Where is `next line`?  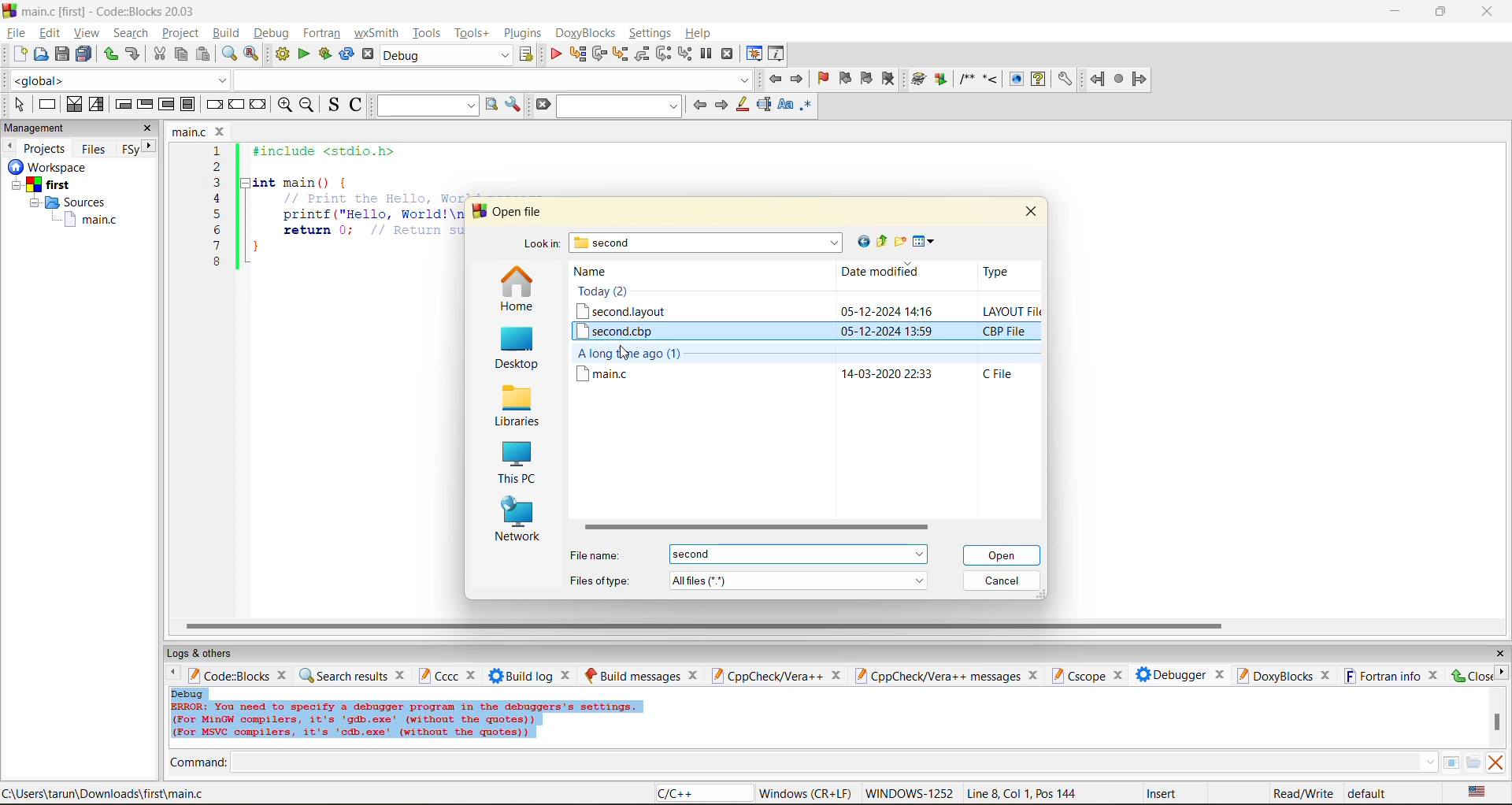
next line is located at coordinates (598, 54).